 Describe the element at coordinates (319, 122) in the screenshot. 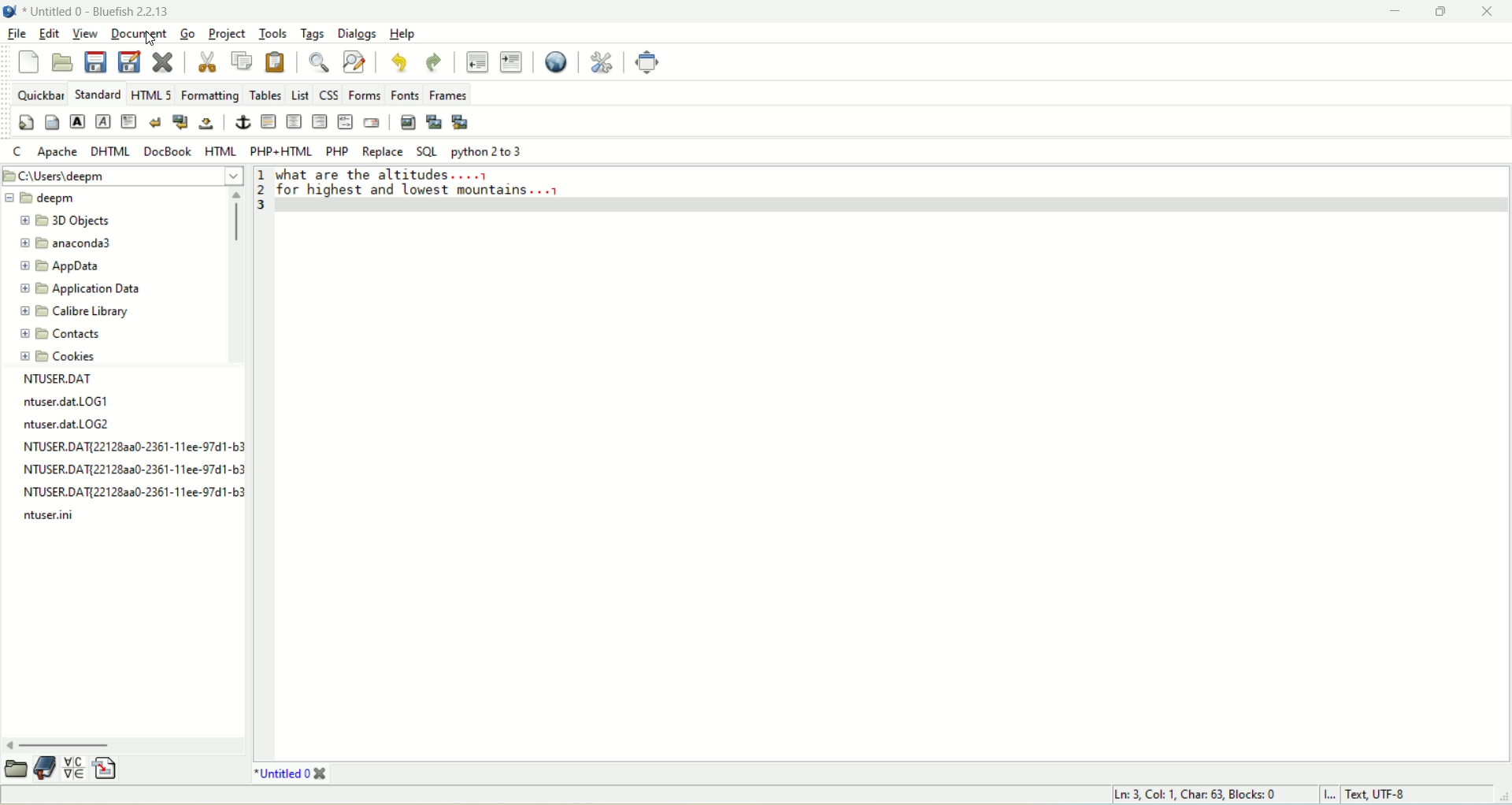

I see `right justify` at that location.